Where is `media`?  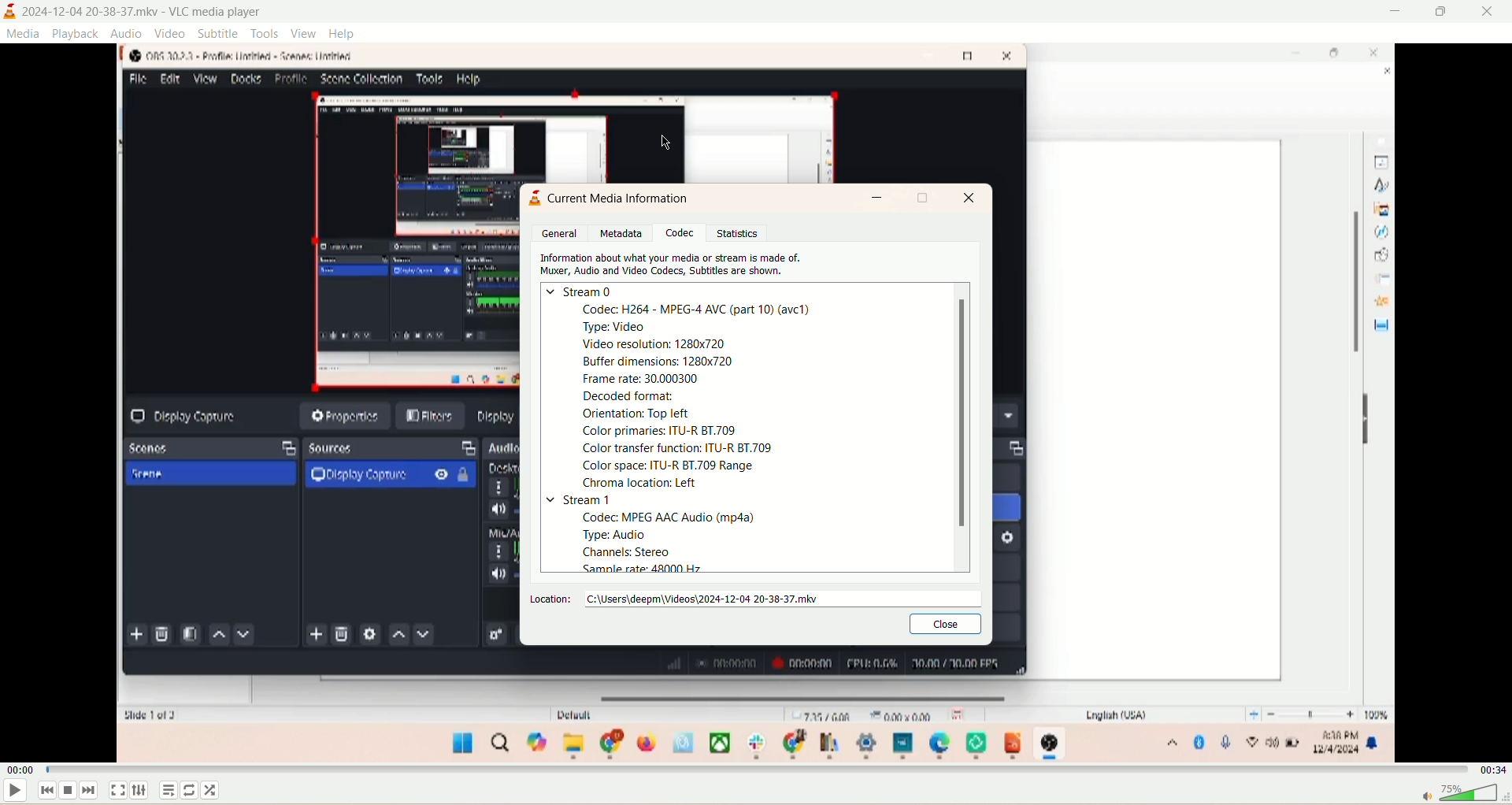 media is located at coordinates (24, 35).